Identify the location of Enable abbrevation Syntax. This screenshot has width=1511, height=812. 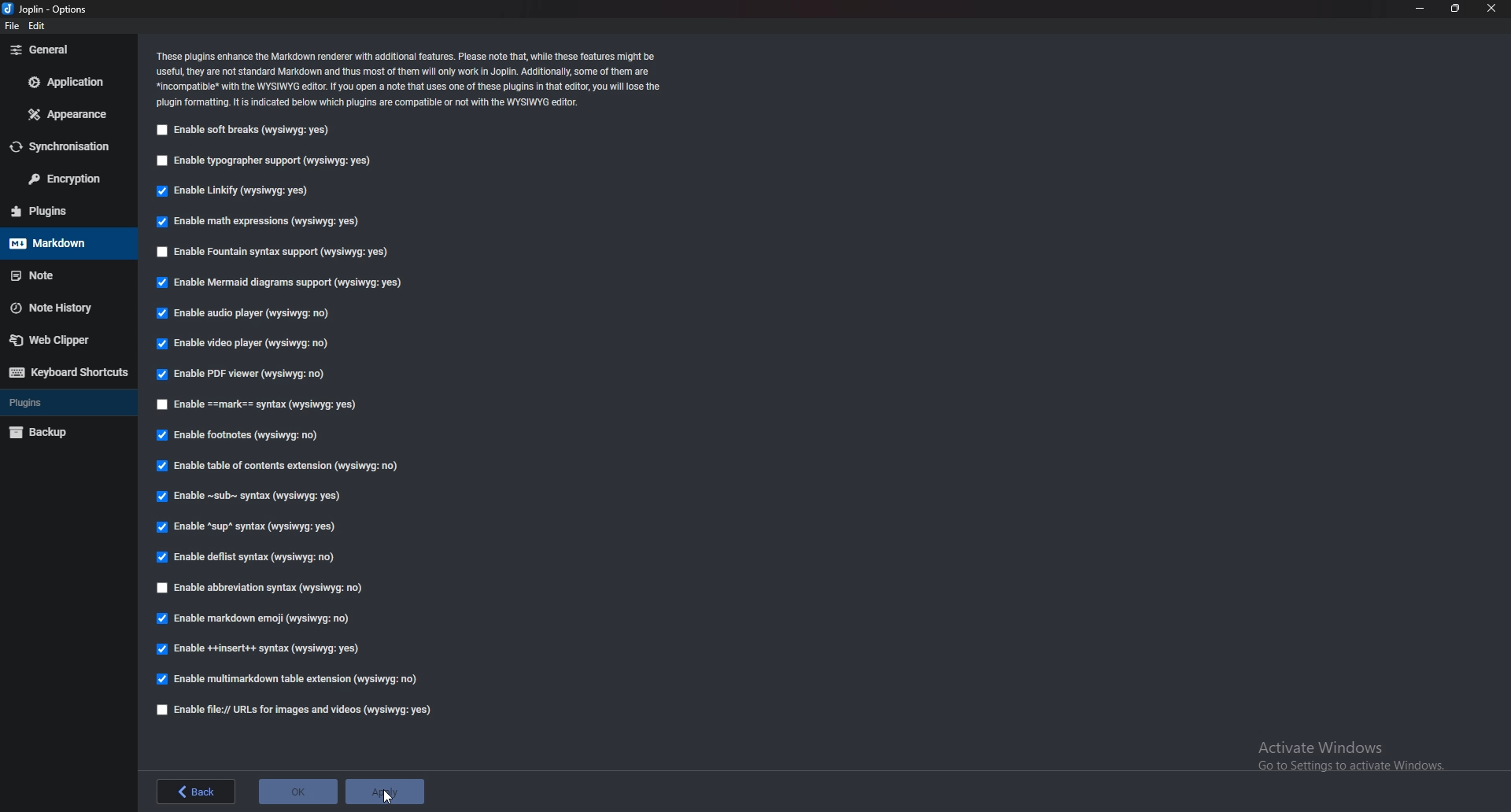
(271, 589).